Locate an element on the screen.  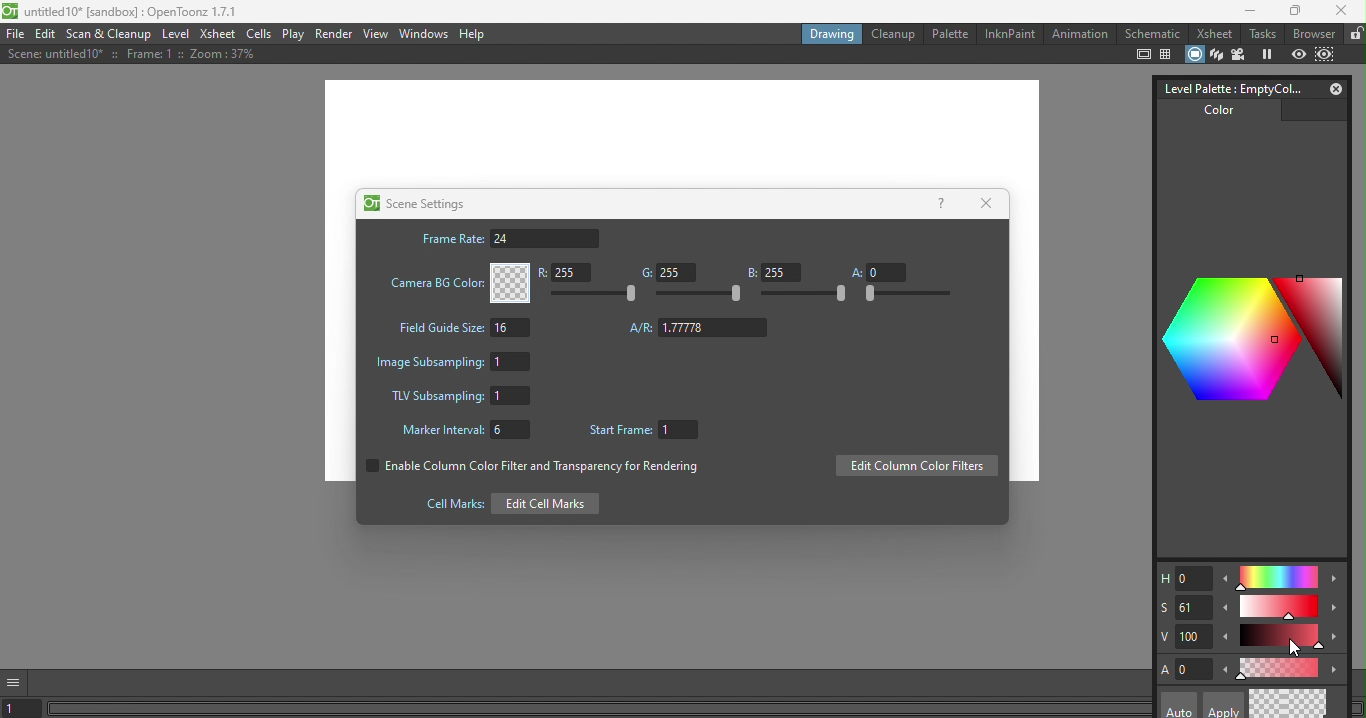
3D view is located at coordinates (1215, 53).